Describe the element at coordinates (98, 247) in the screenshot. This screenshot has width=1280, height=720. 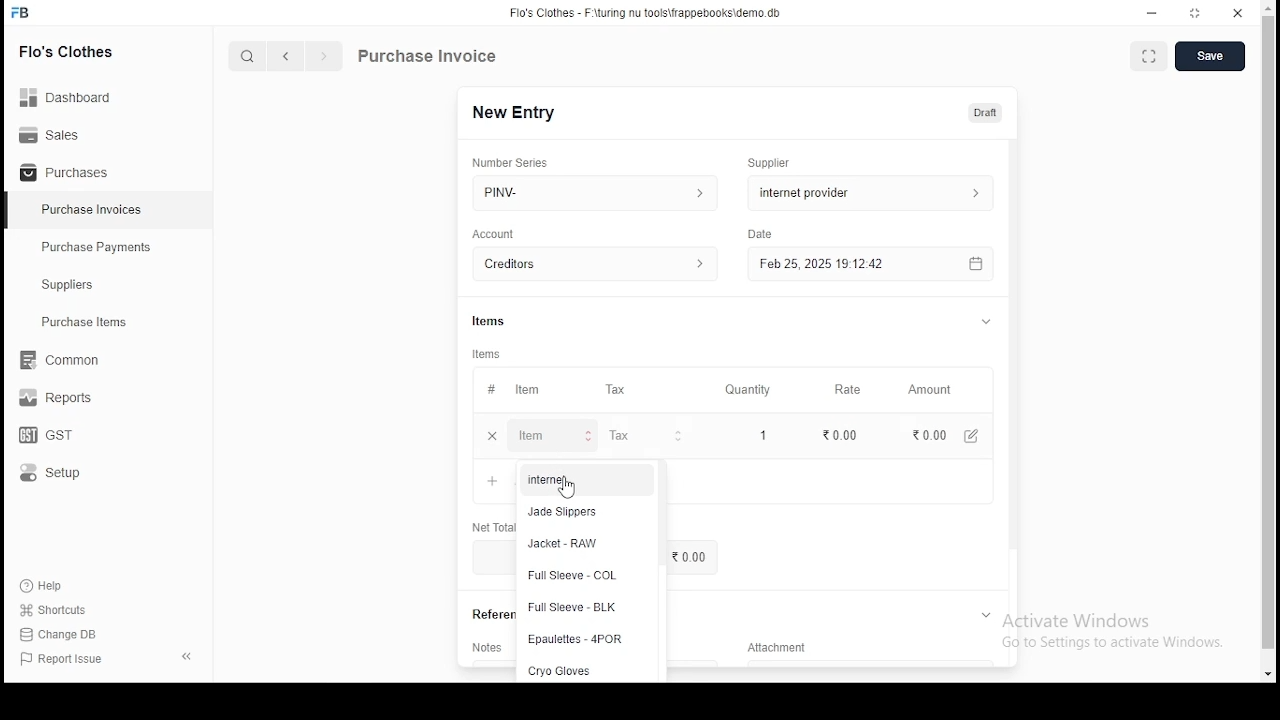
I see `‘Purchase Payments` at that location.